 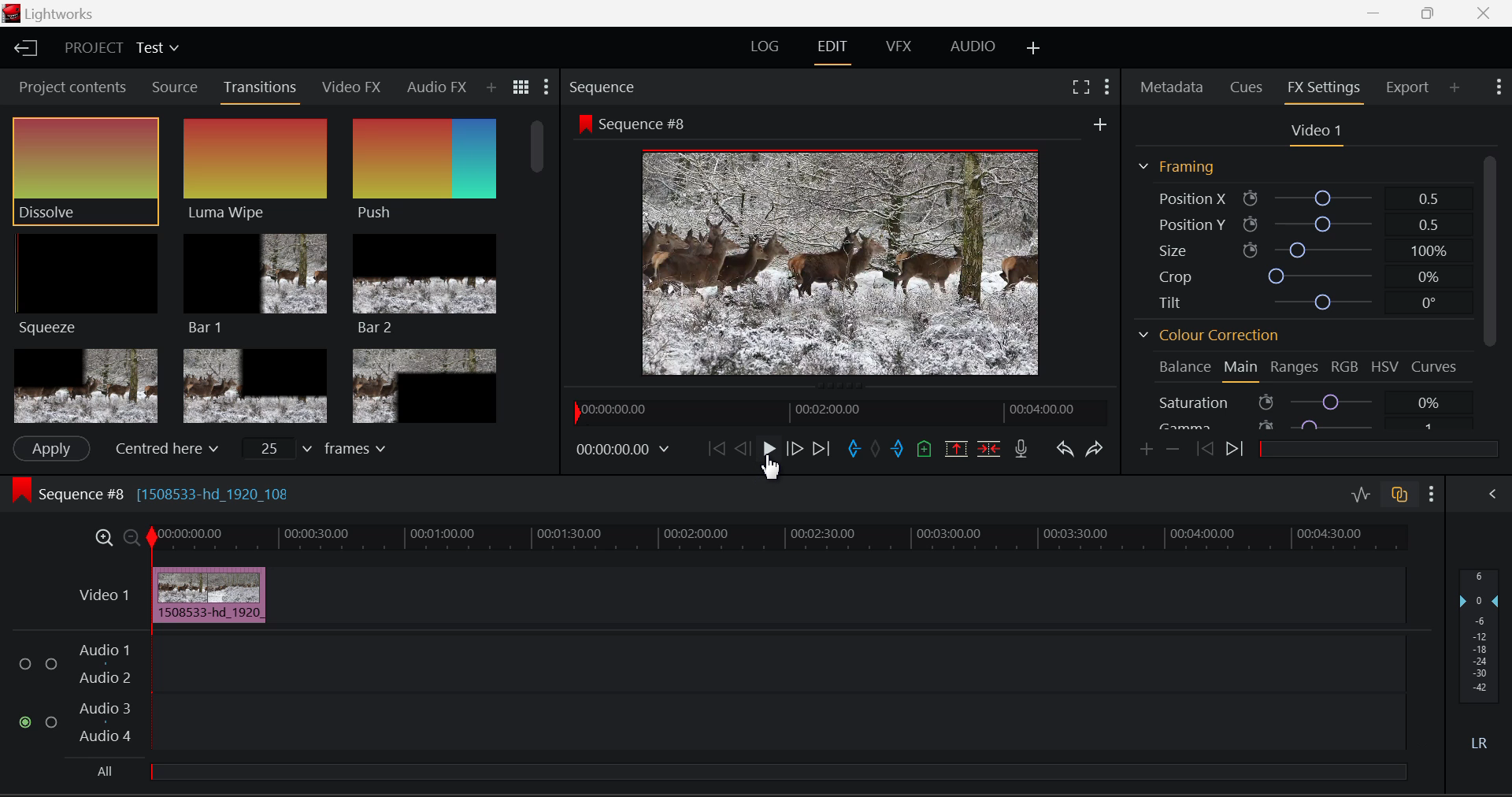 I want to click on Tilt, so click(x=1295, y=301).